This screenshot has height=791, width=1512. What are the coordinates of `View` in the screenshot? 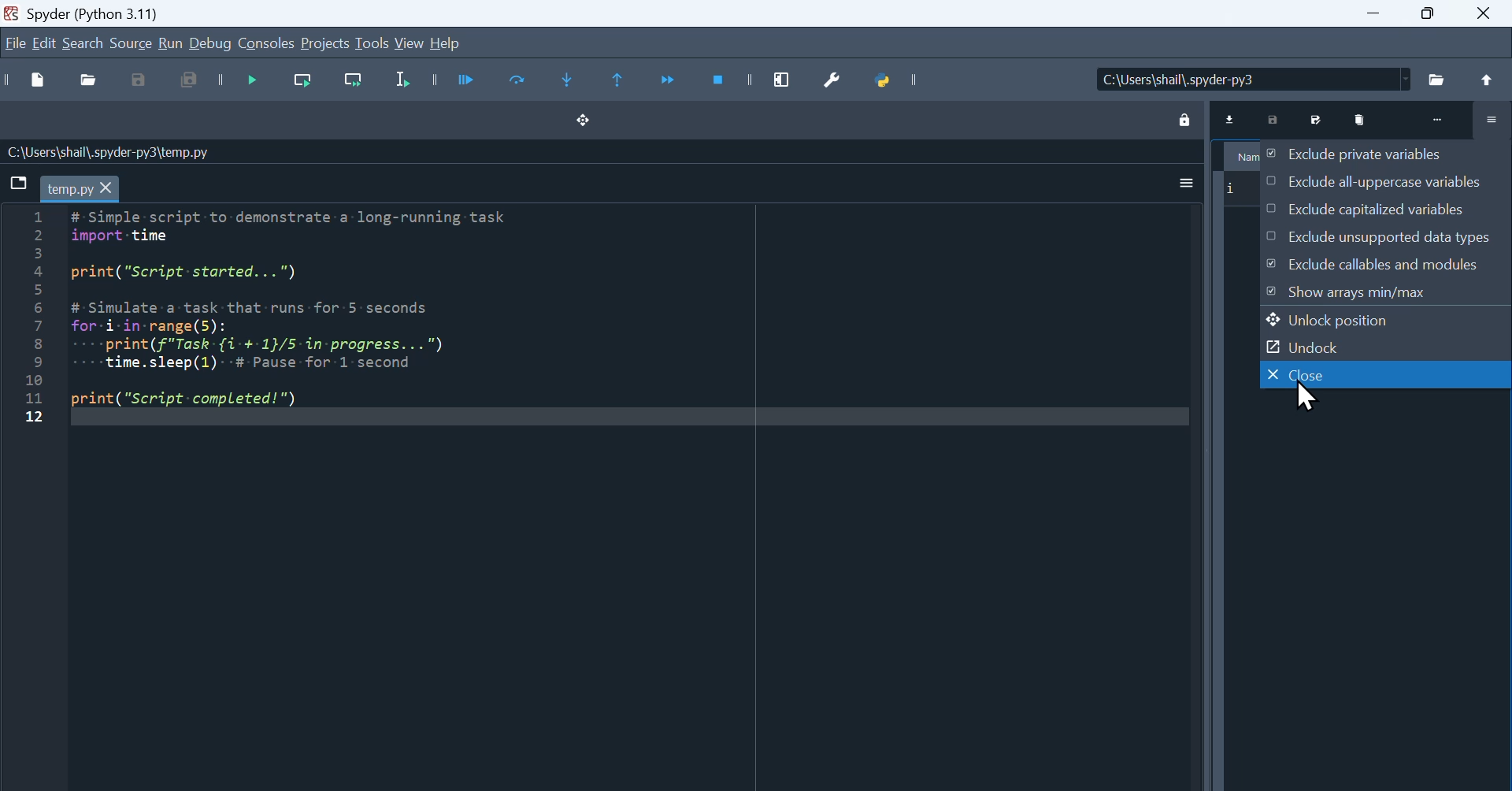 It's located at (409, 42).